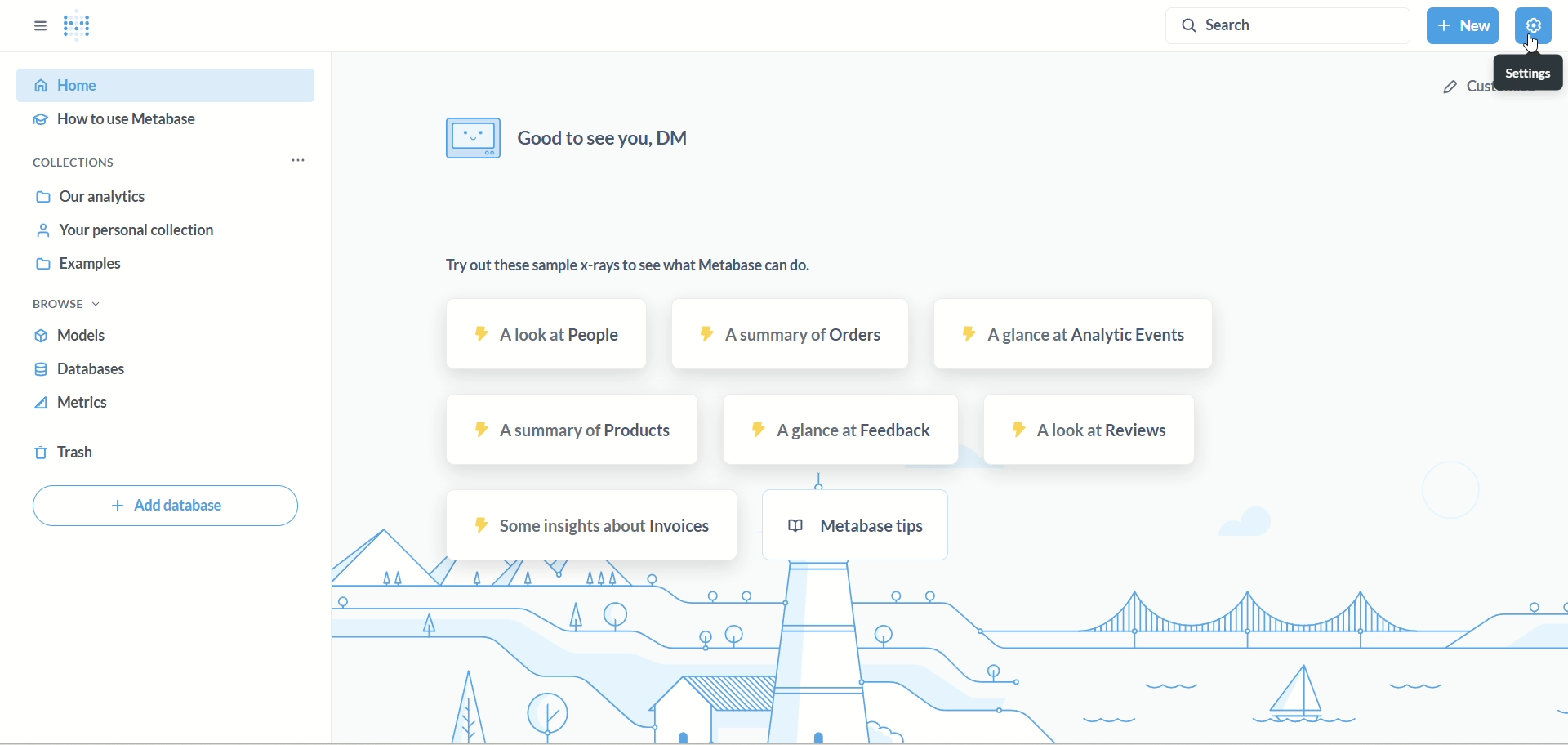 Image resolution: width=1568 pixels, height=745 pixels. What do you see at coordinates (1466, 25) in the screenshot?
I see `new` at bounding box center [1466, 25].